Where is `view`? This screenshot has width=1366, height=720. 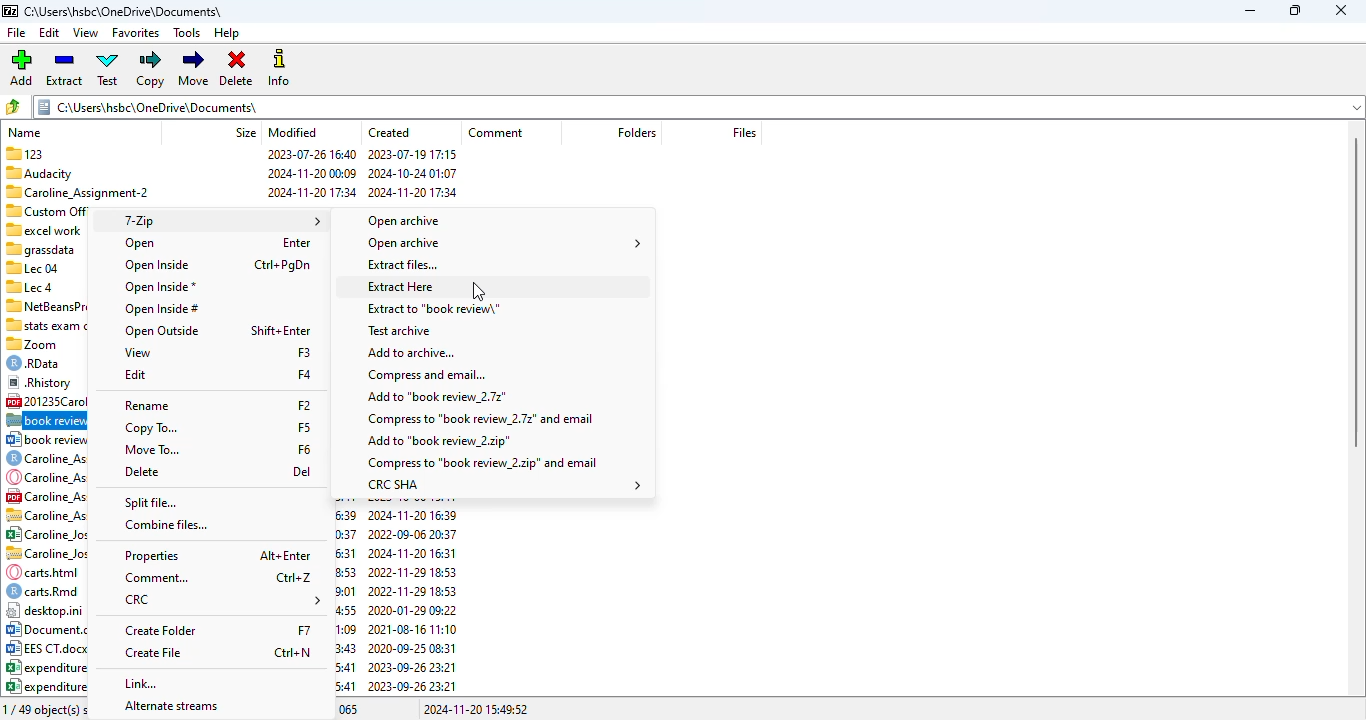
view is located at coordinates (138, 352).